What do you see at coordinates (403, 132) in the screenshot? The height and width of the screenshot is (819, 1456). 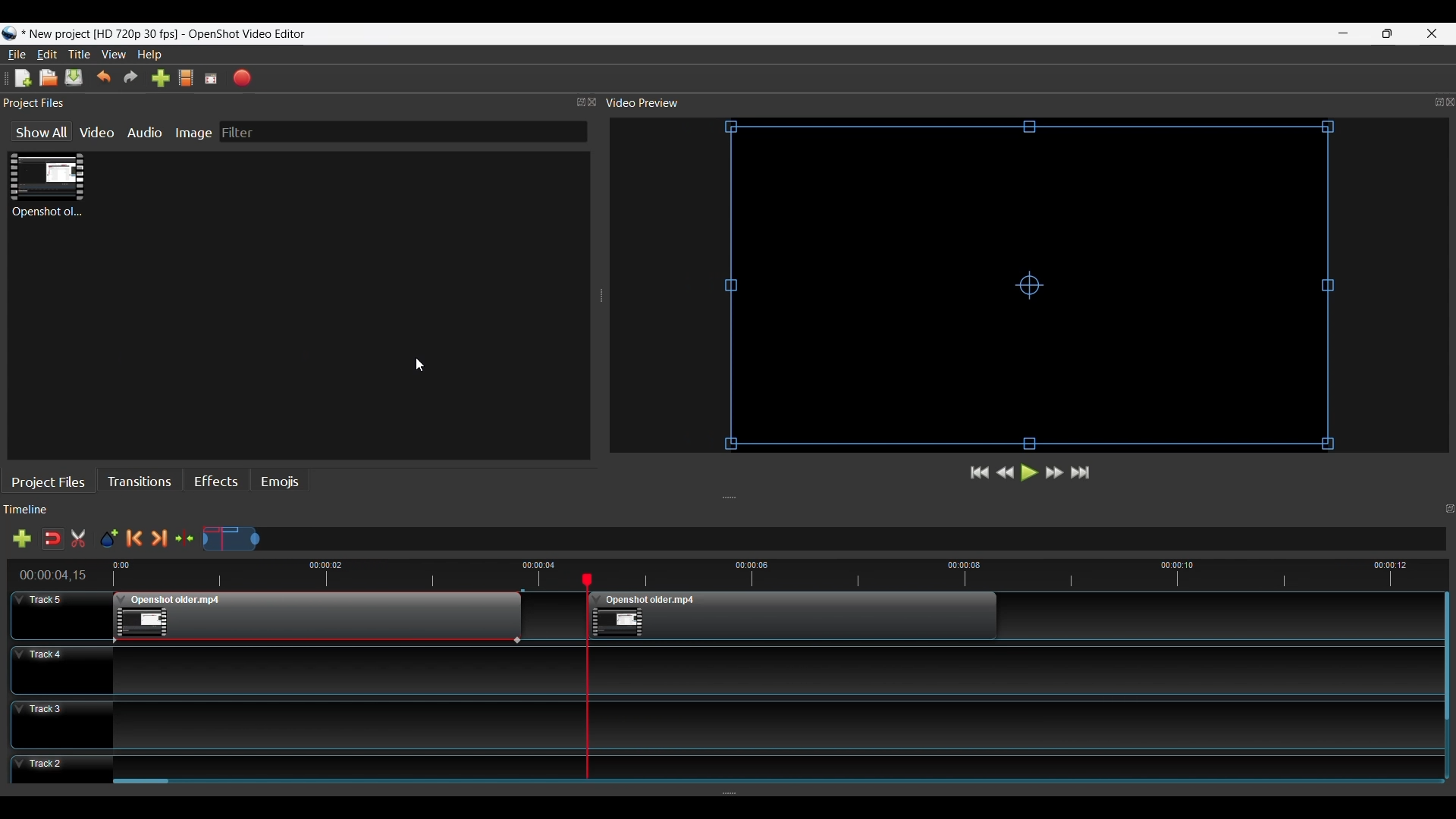 I see `Filter` at bounding box center [403, 132].